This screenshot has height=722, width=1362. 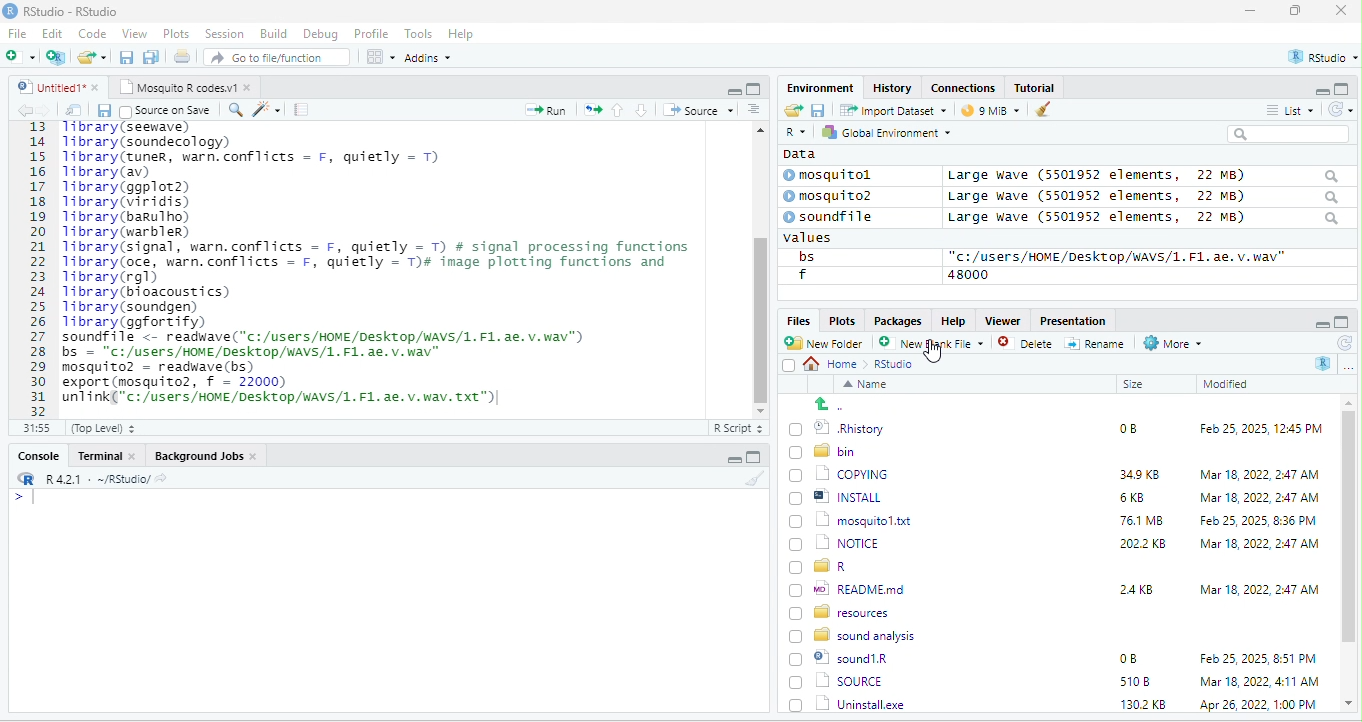 I want to click on Viewer, so click(x=1000, y=321).